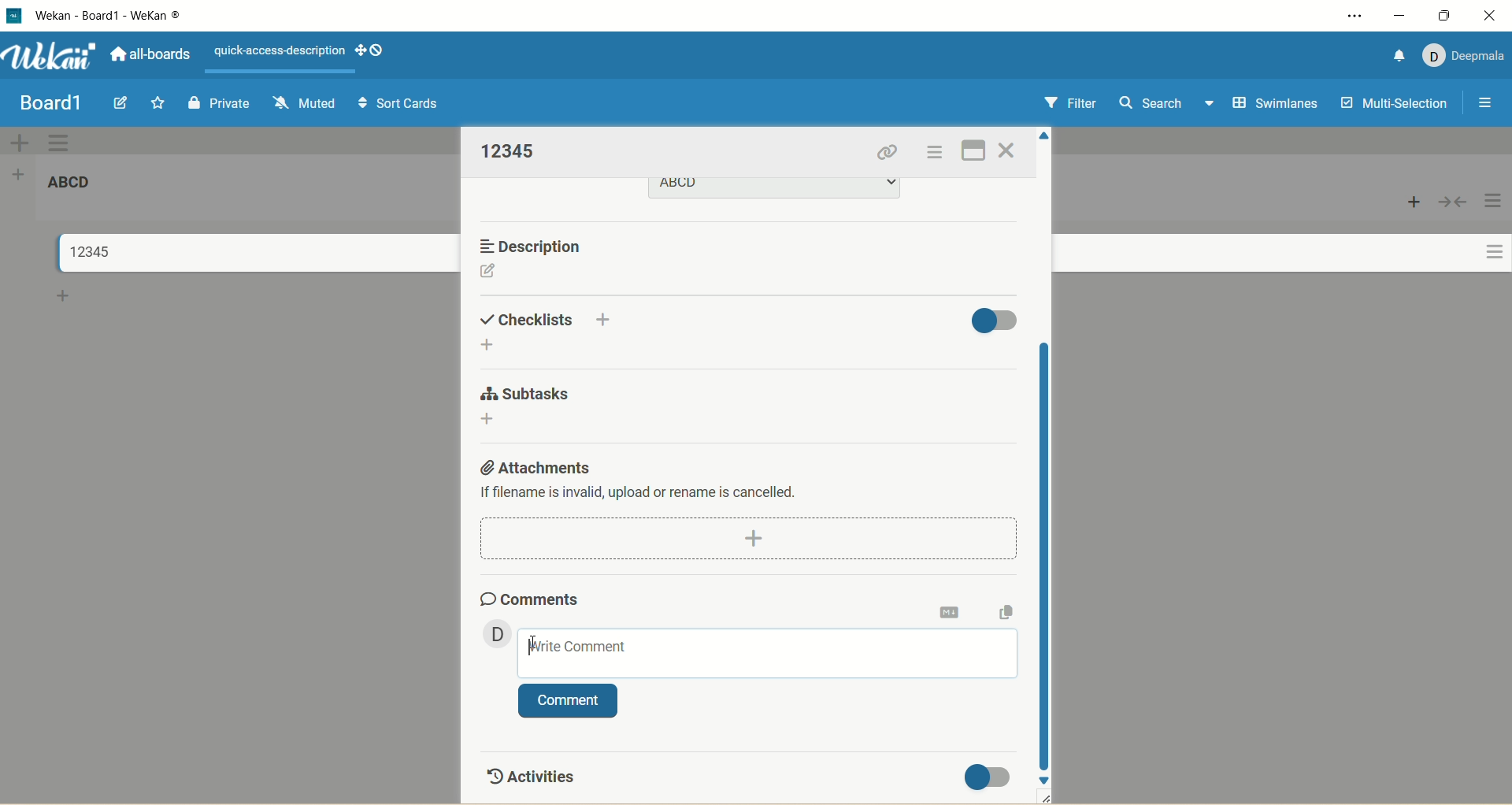 This screenshot has width=1512, height=805. Describe the element at coordinates (1392, 104) in the screenshot. I see `multi-selection` at that location.